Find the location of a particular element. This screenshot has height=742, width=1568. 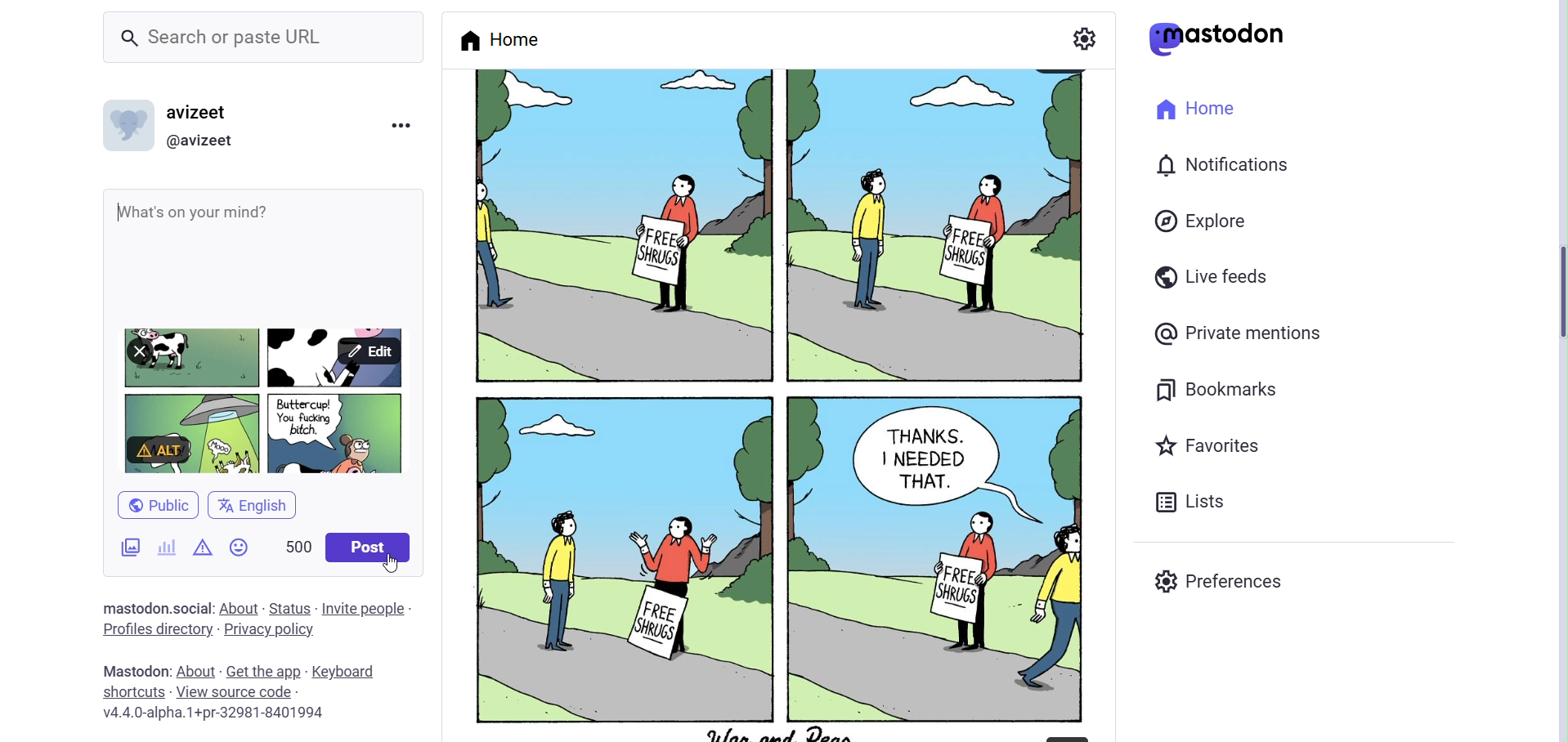

Public is located at coordinates (155, 503).